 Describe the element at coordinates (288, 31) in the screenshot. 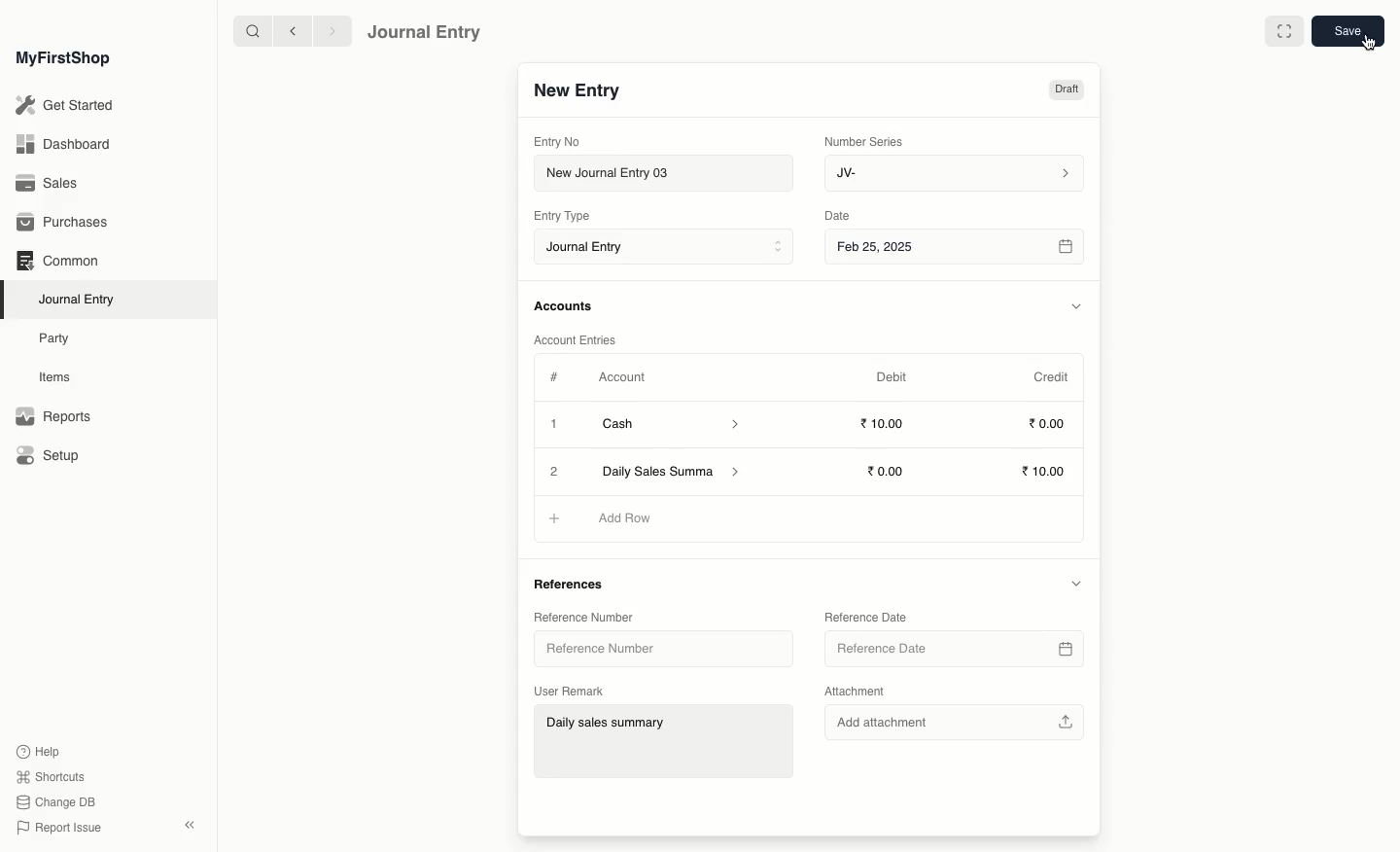

I see `backward <` at that location.